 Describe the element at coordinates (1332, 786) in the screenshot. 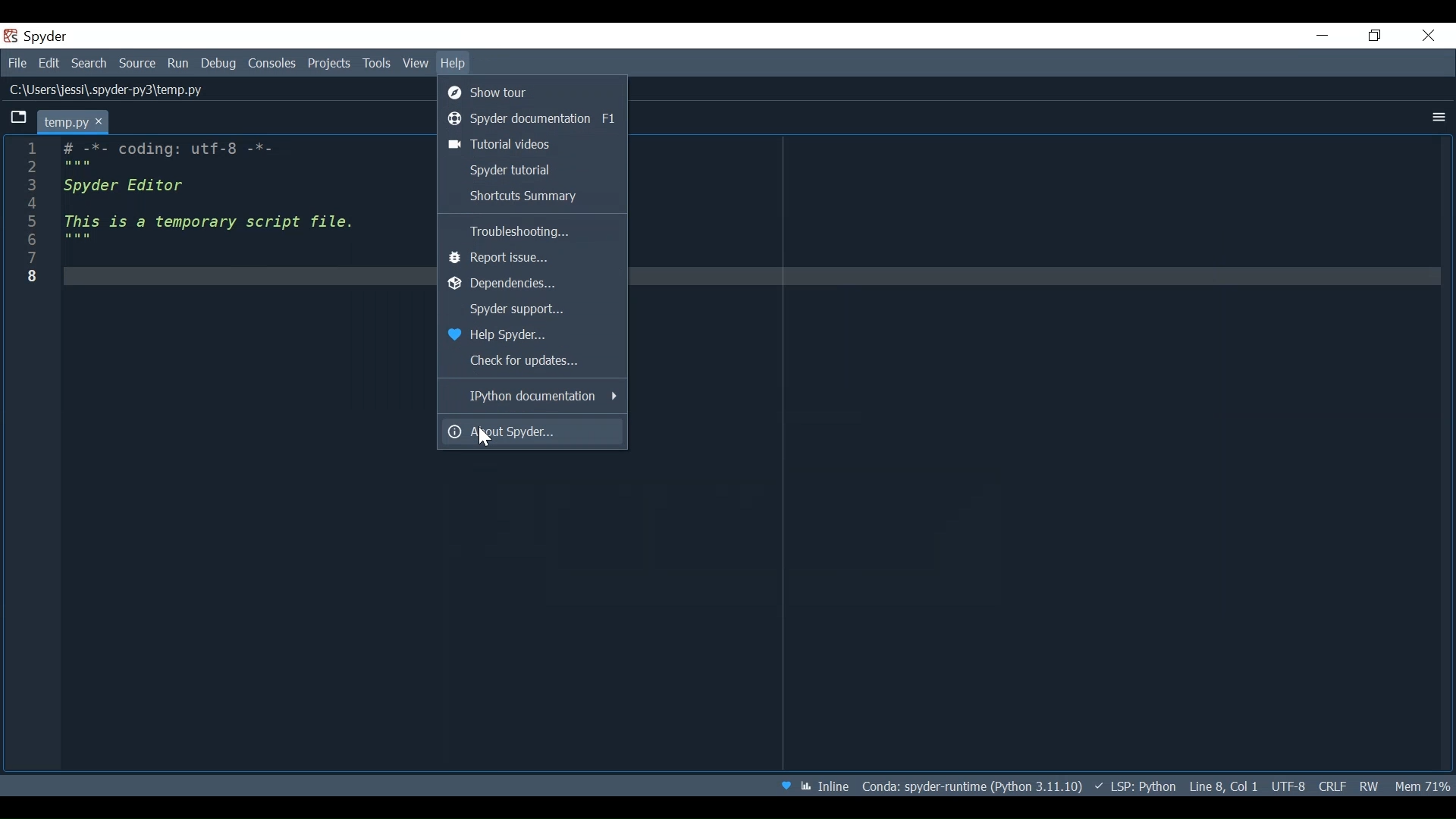

I see `File EQL Status` at that location.